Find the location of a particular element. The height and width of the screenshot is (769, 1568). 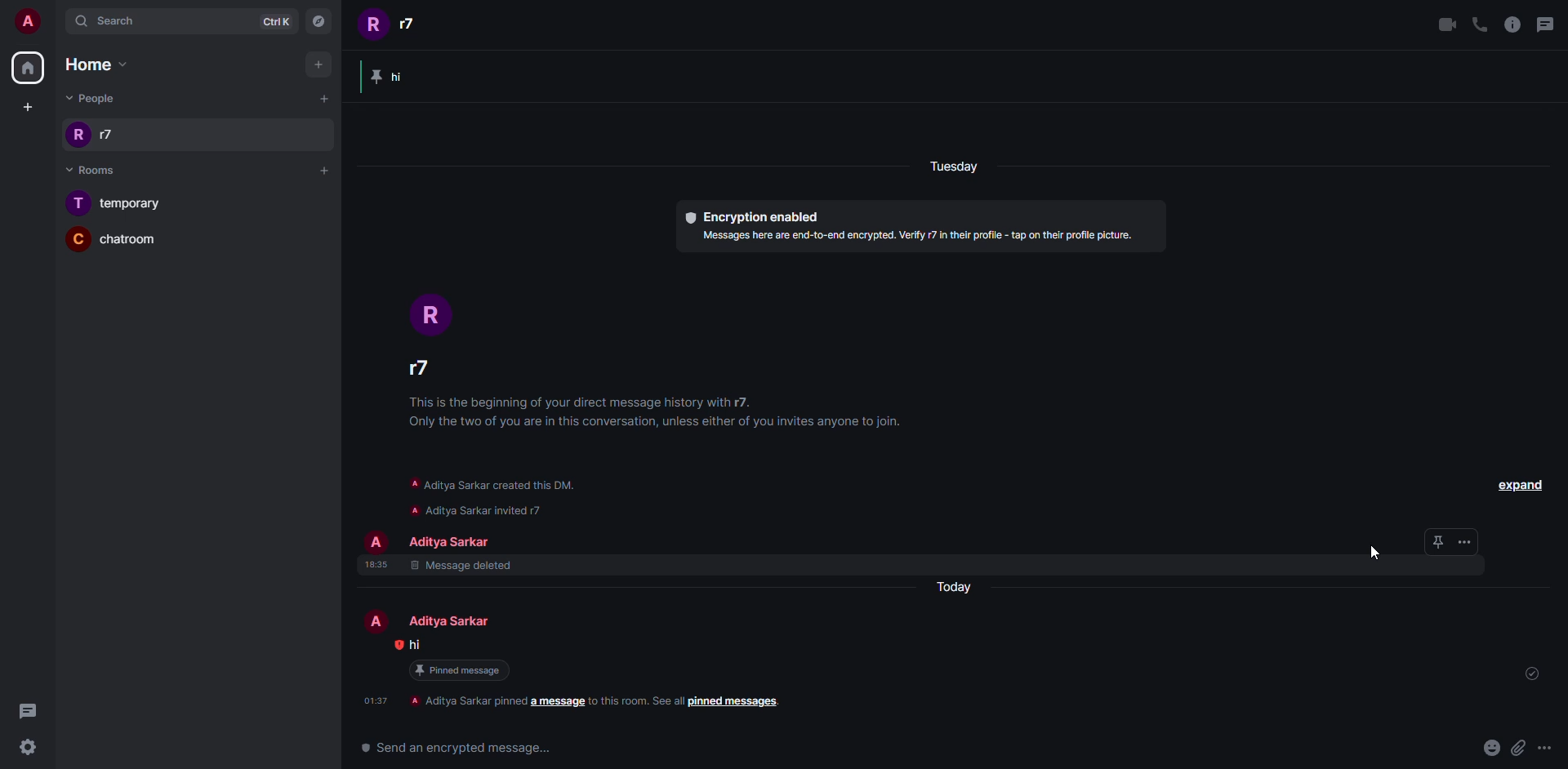

encryption enabled is located at coordinates (758, 215).